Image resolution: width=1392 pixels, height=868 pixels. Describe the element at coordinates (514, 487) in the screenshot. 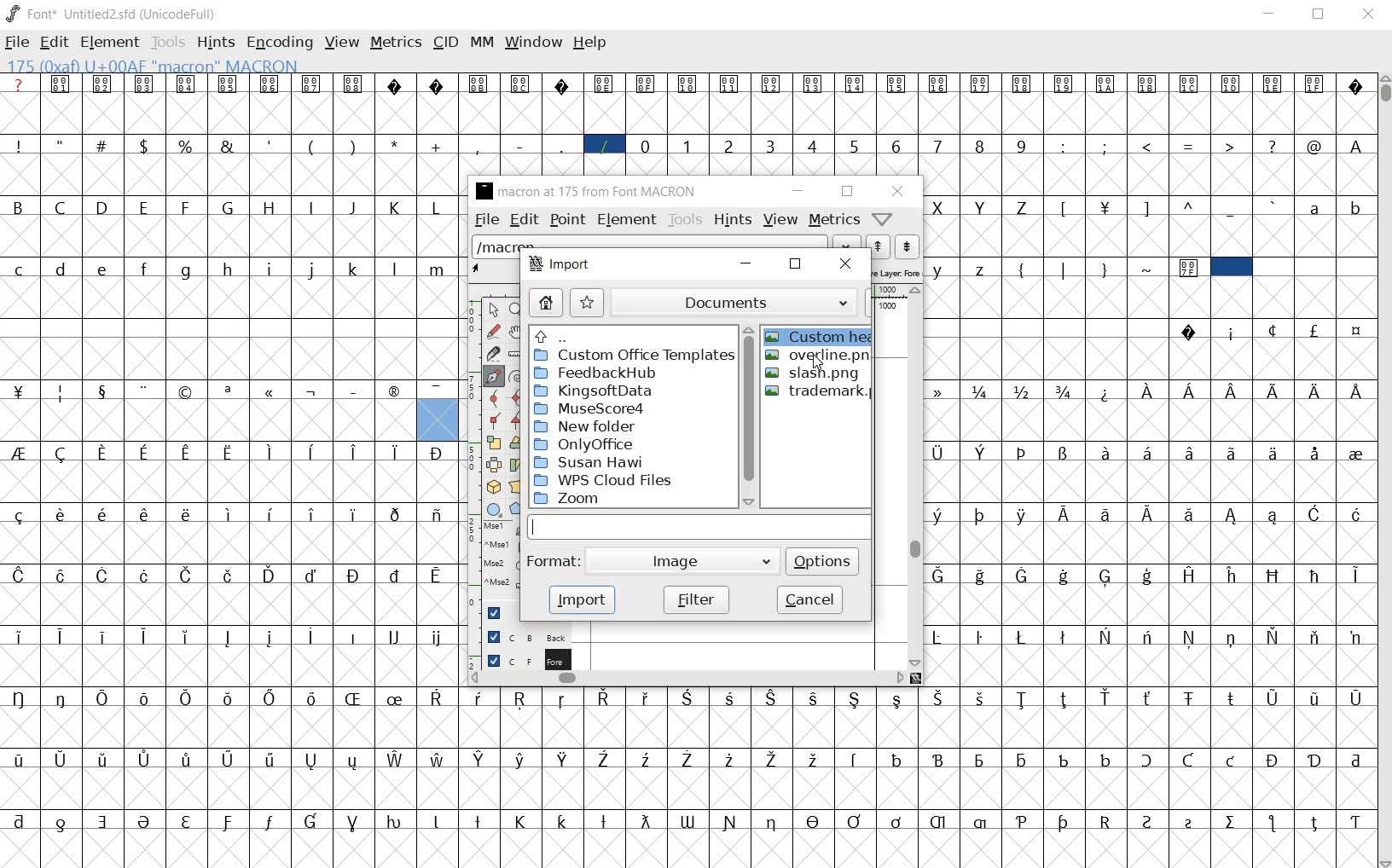

I see `perspective` at that location.